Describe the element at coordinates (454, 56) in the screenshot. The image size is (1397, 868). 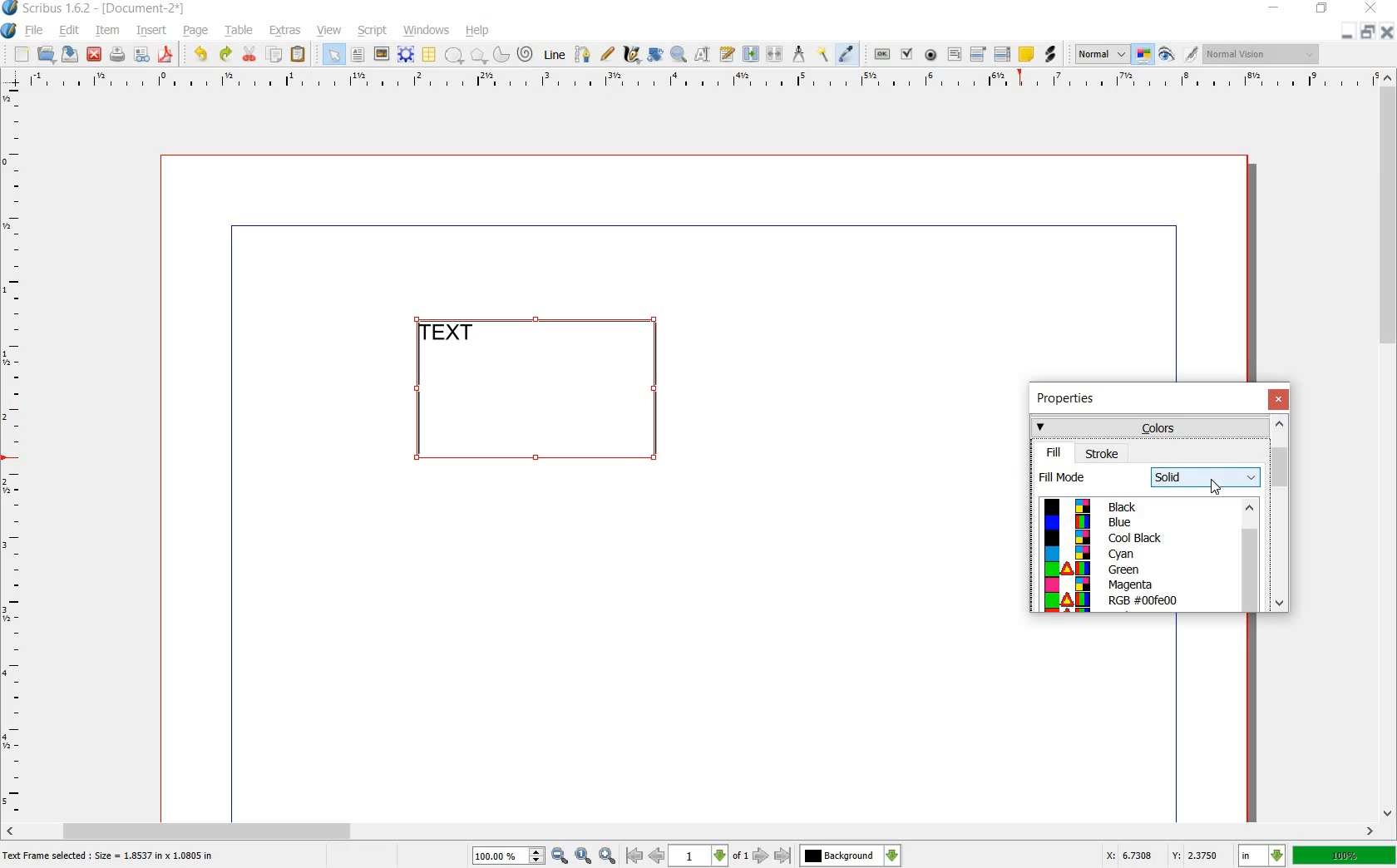
I see `shape` at that location.